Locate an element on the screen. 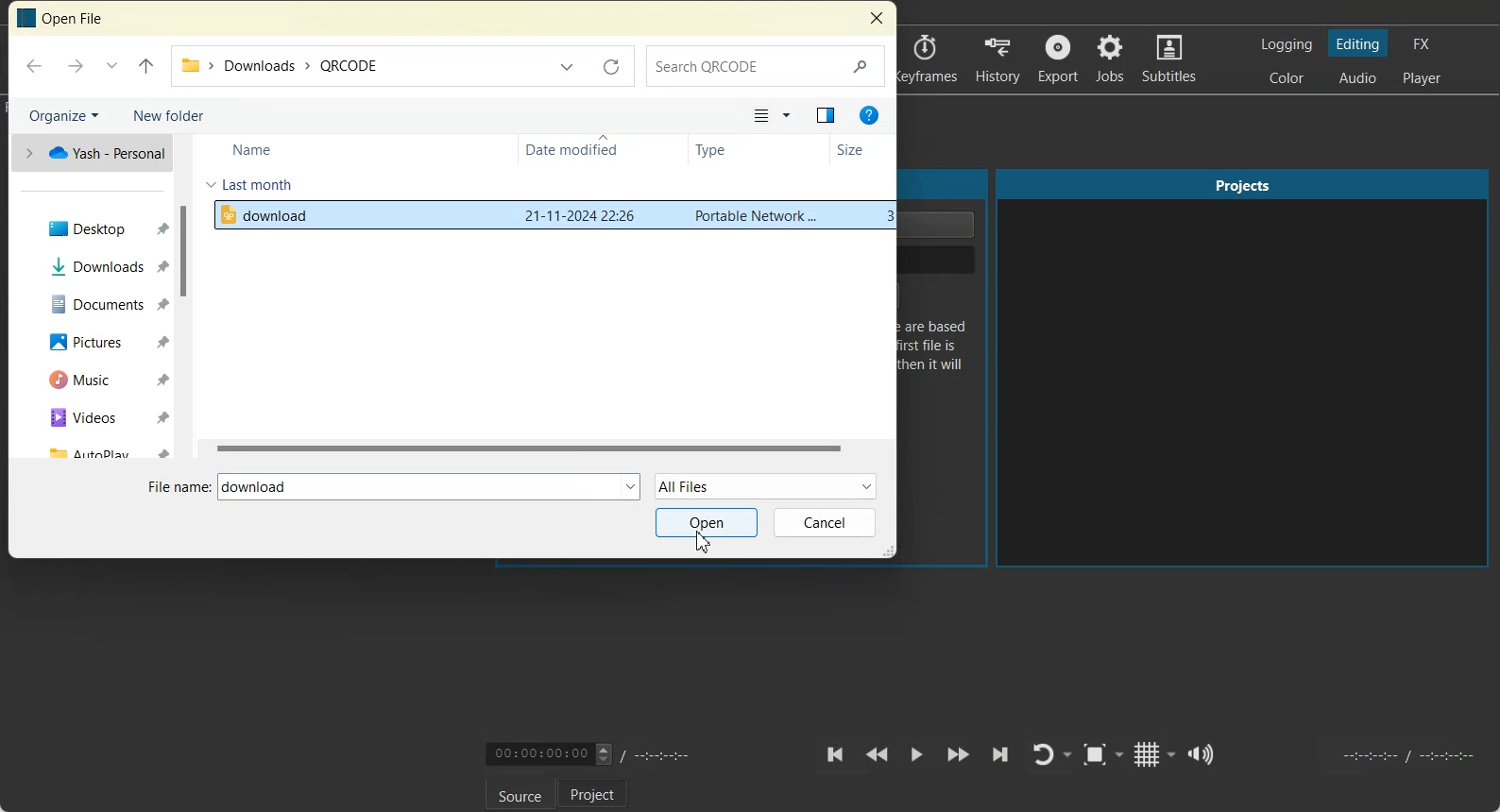 Image resolution: width=1500 pixels, height=812 pixels. Text is located at coordinates (64, 19).